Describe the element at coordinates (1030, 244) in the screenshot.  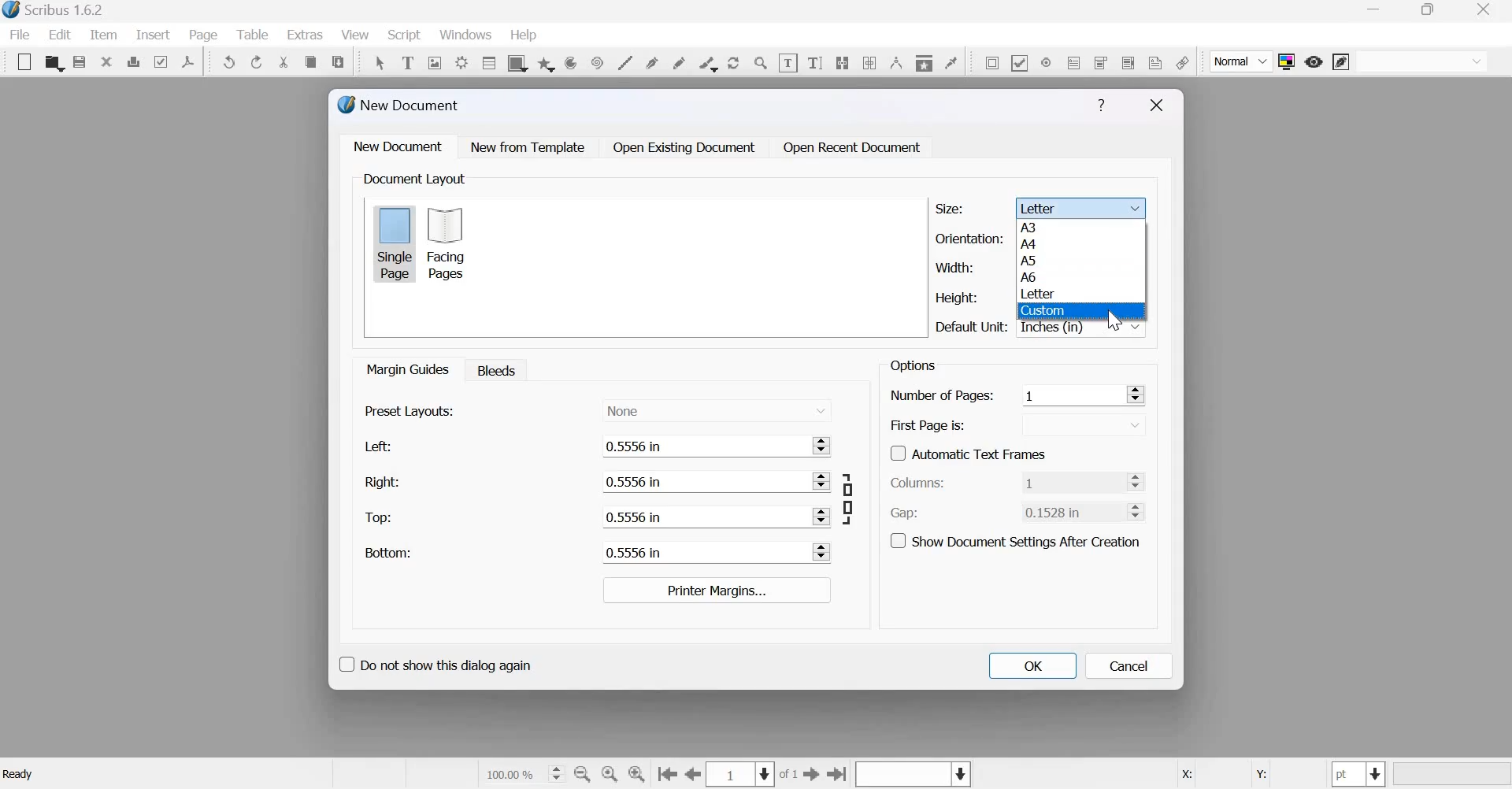
I see `A4` at that location.